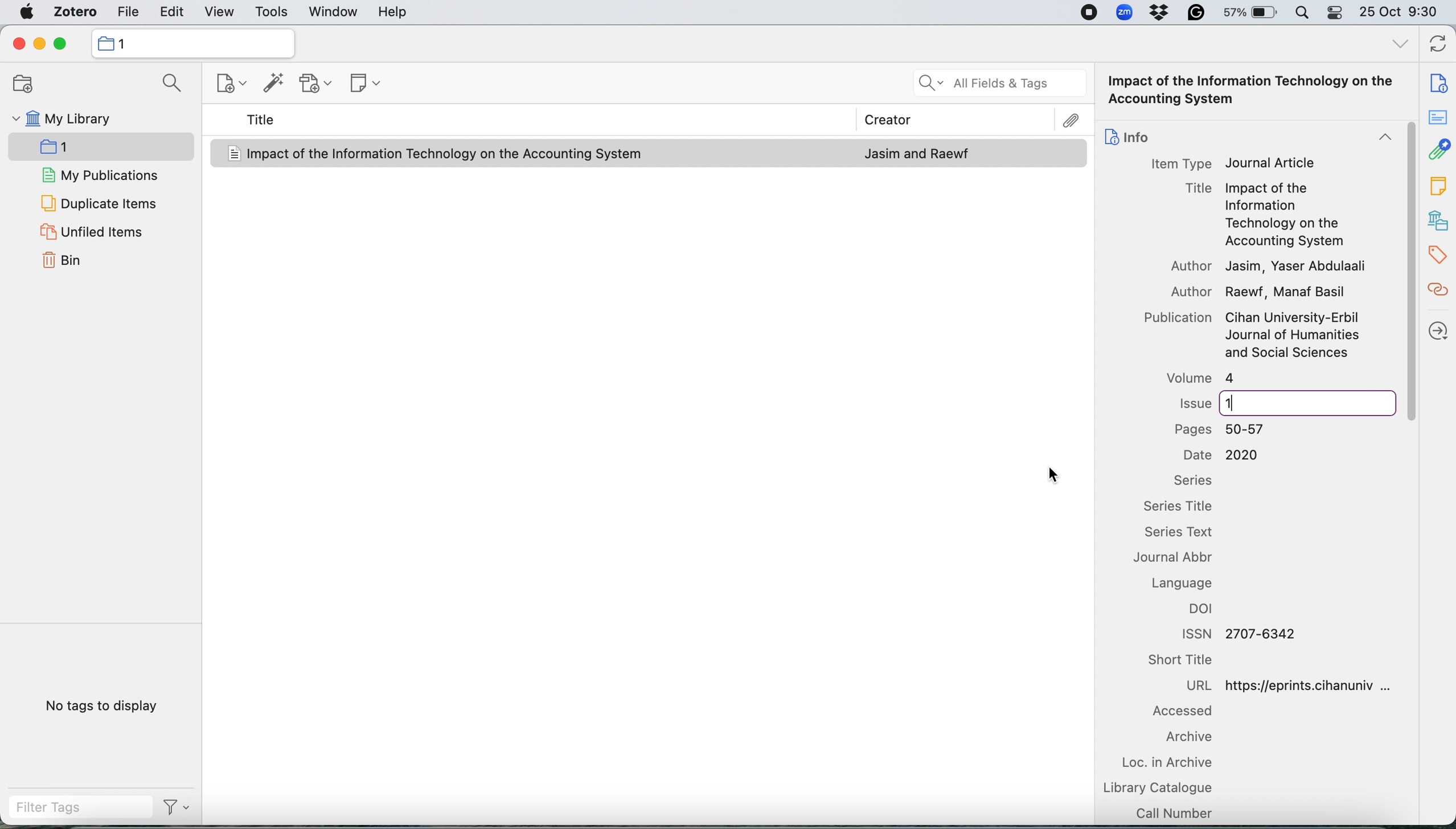 The image size is (1456, 829). What do you see at coordinates (1441, 121) in the screenshot?
I see `abstract` at bounding box center [1441, 121].